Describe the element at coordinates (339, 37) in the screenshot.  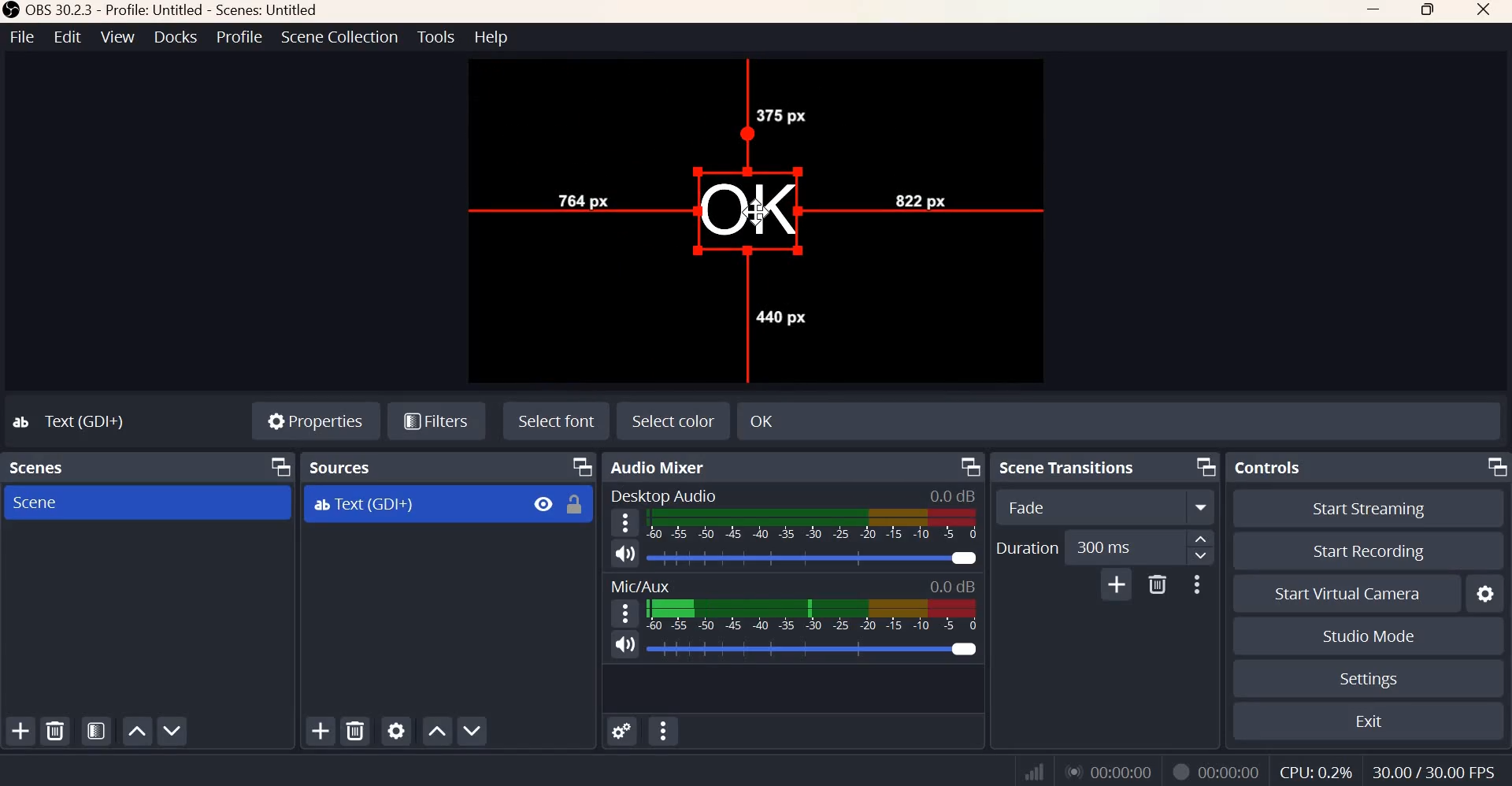
I see `Scene Collection` at that location.